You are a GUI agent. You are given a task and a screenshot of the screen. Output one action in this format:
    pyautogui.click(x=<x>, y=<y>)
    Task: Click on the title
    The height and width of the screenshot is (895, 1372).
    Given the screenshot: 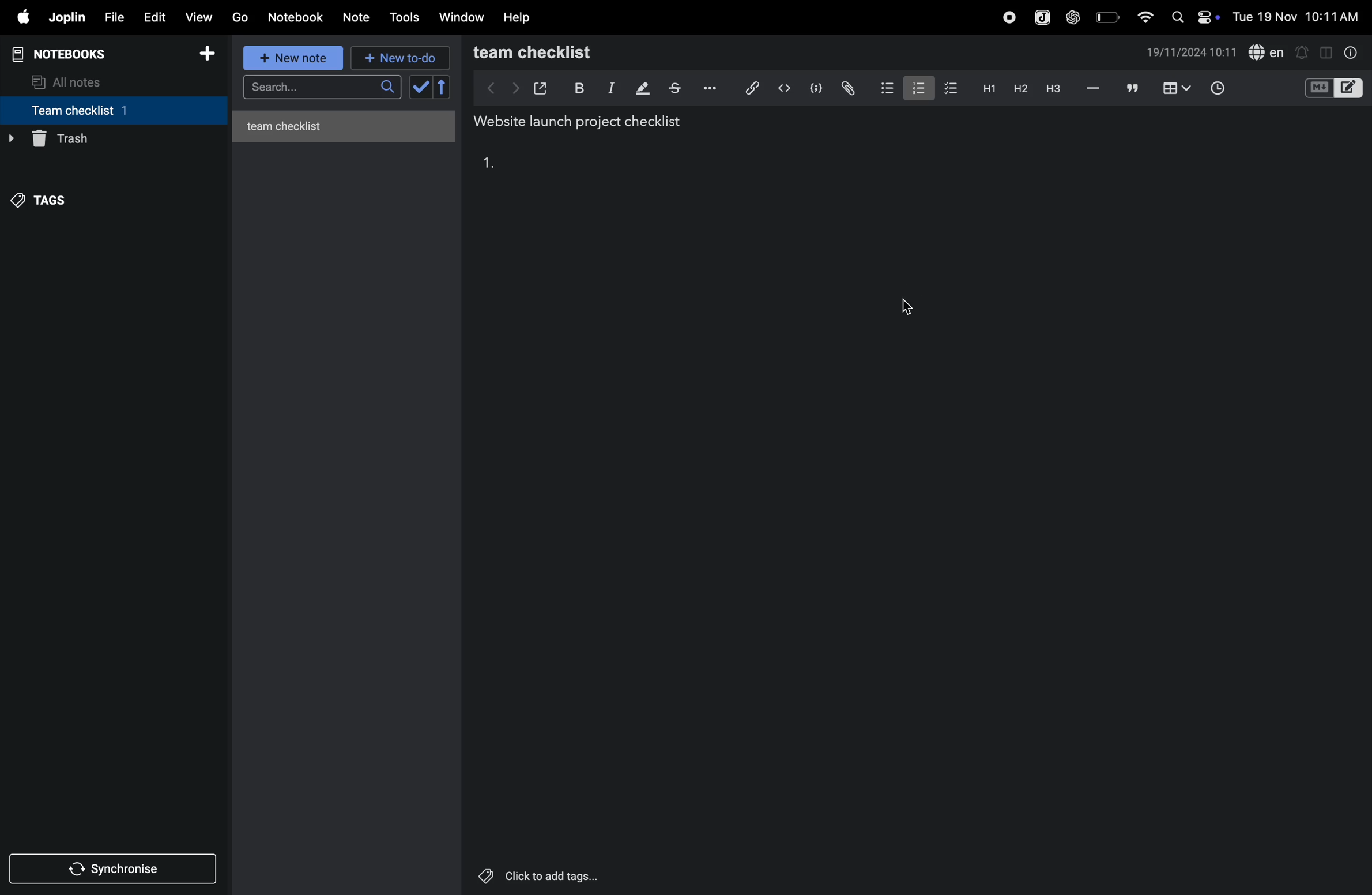 What is the action you would take?
    pyautogui.click(x=583, y=122)
    